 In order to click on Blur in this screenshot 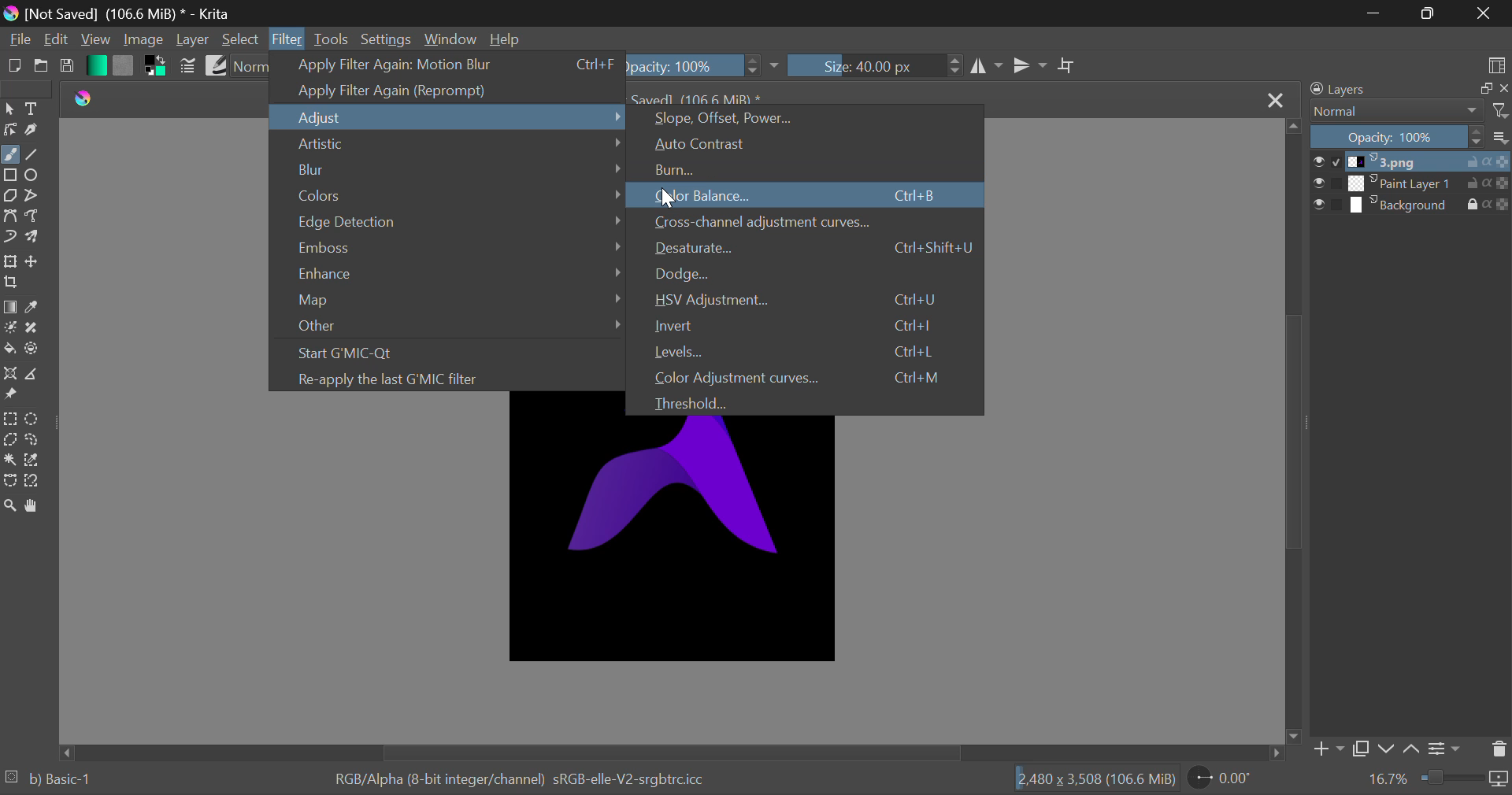, I will do `click(458, 168)`.